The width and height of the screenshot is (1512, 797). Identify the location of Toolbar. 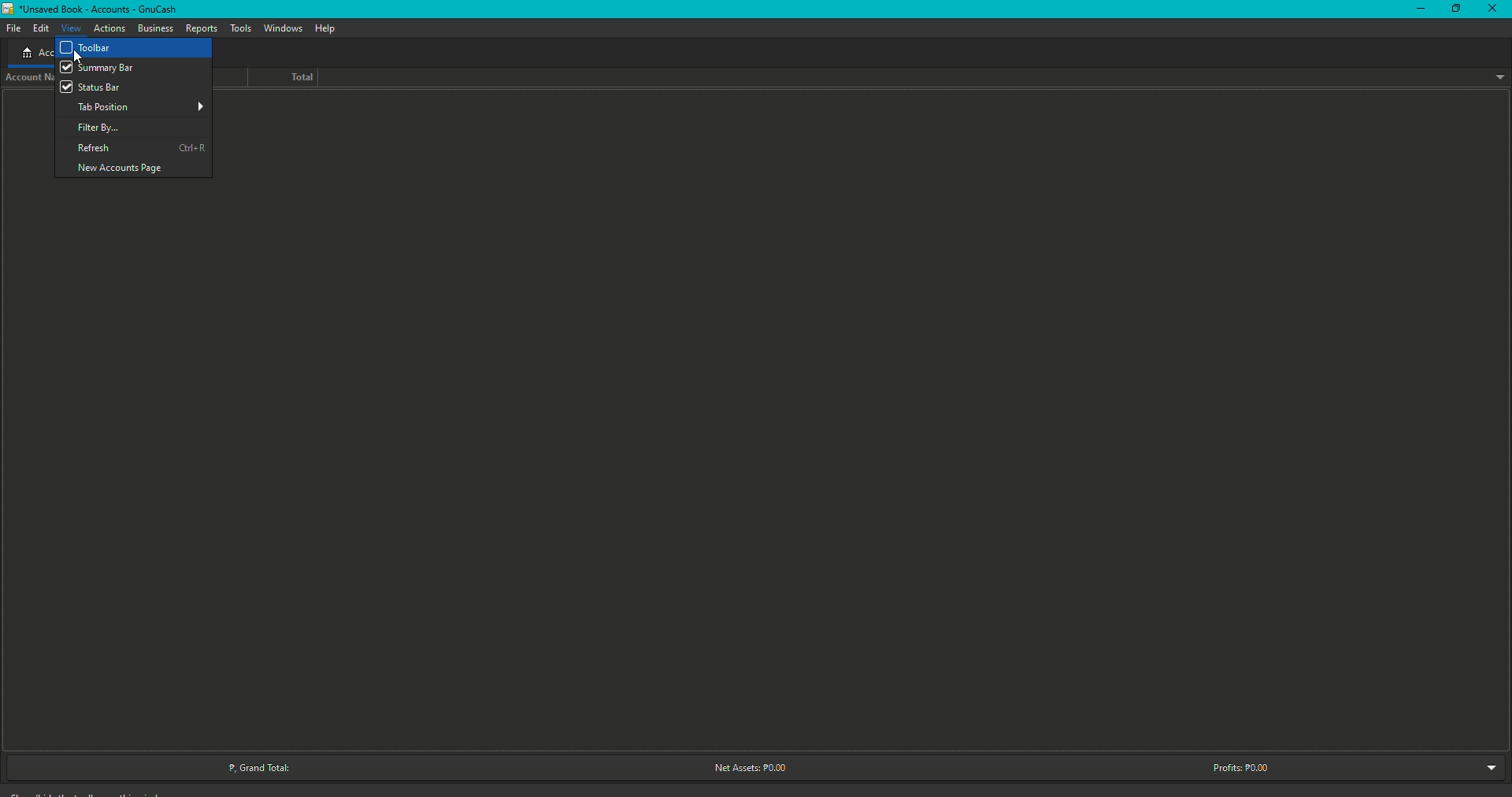
(94, 47).